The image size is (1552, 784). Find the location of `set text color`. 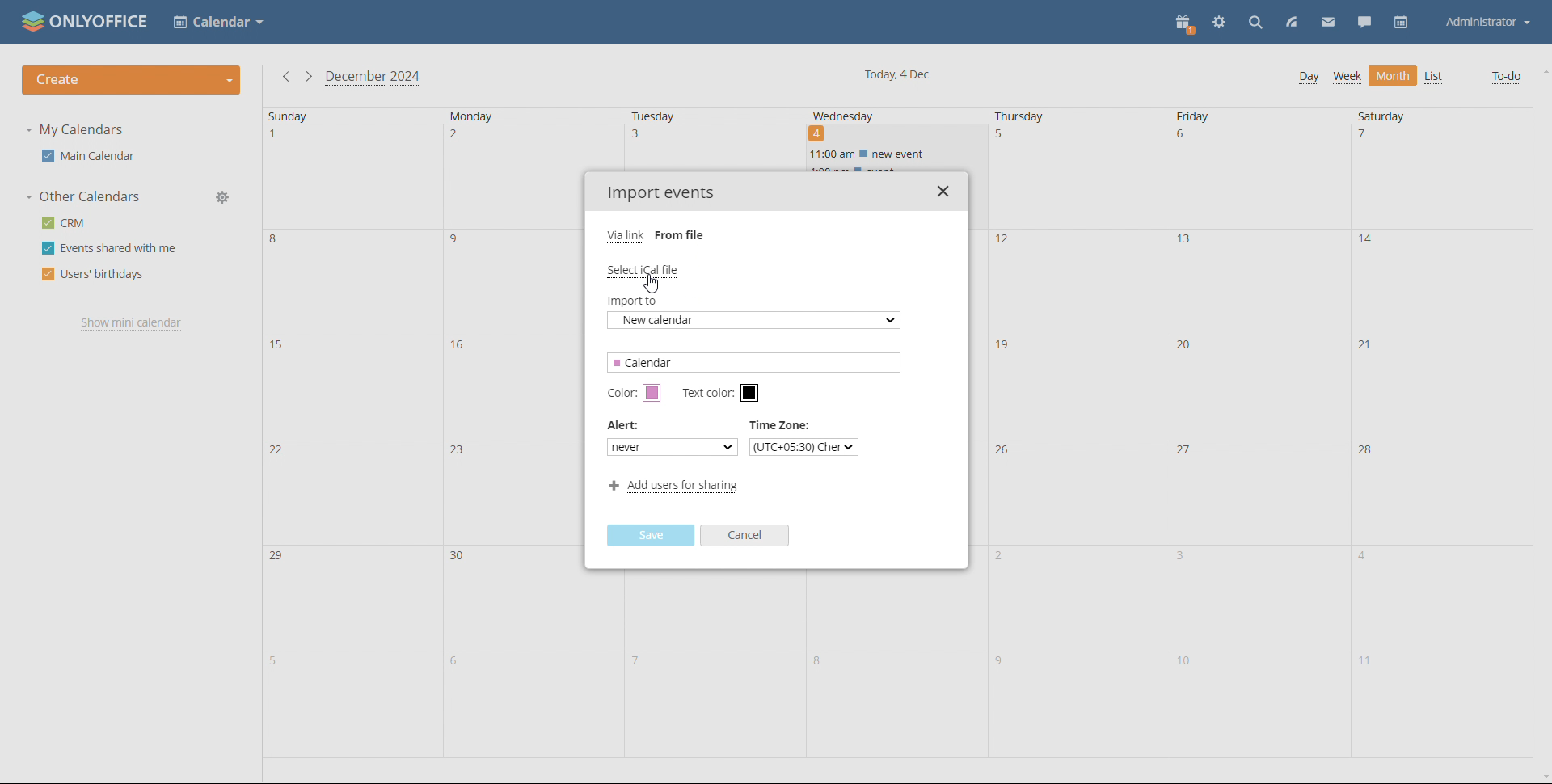

set text color is located at coordinates (750, 393).